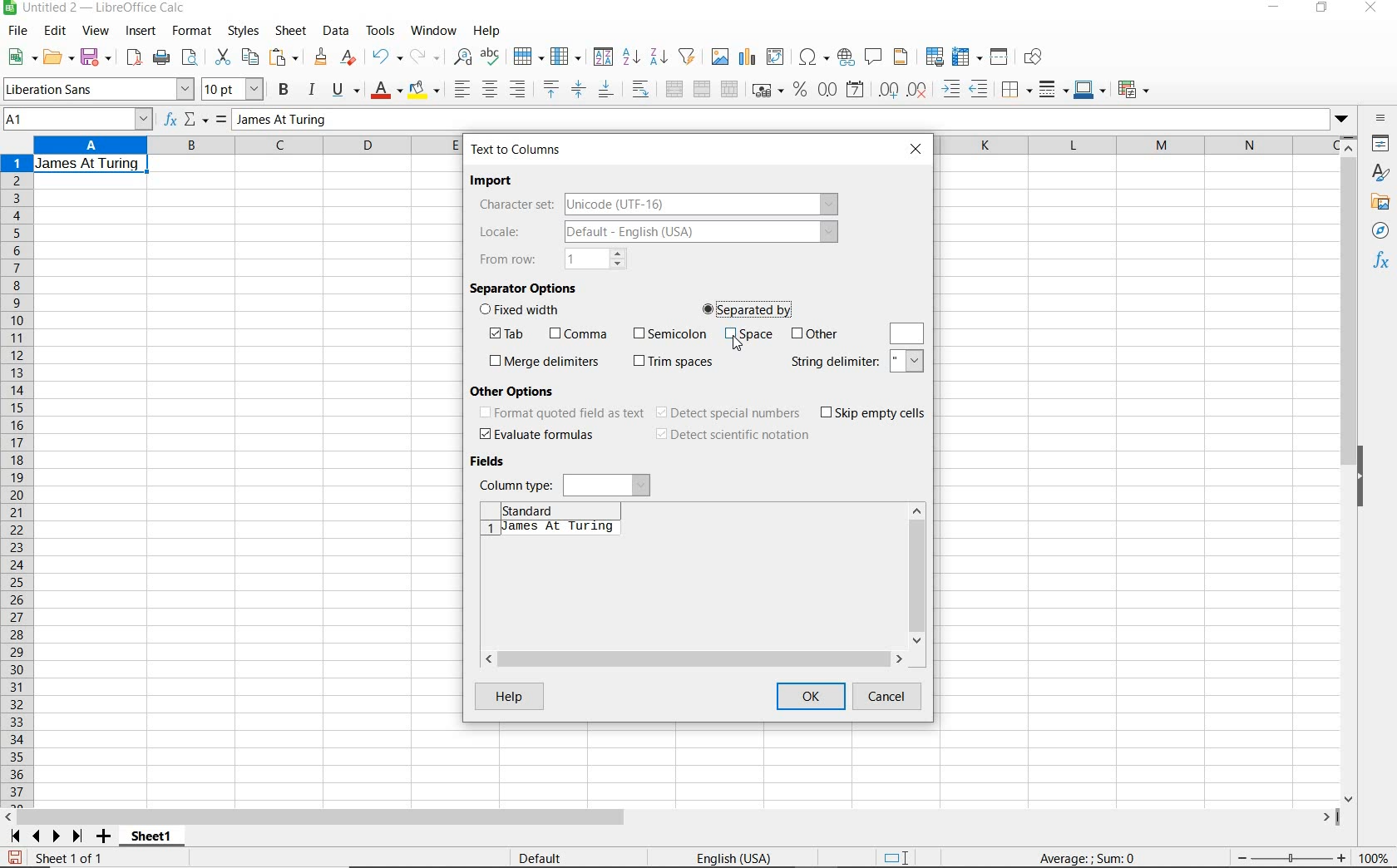 This screenshot has height=868, width=1397. I want to click on gallery, so click(1380, 204).